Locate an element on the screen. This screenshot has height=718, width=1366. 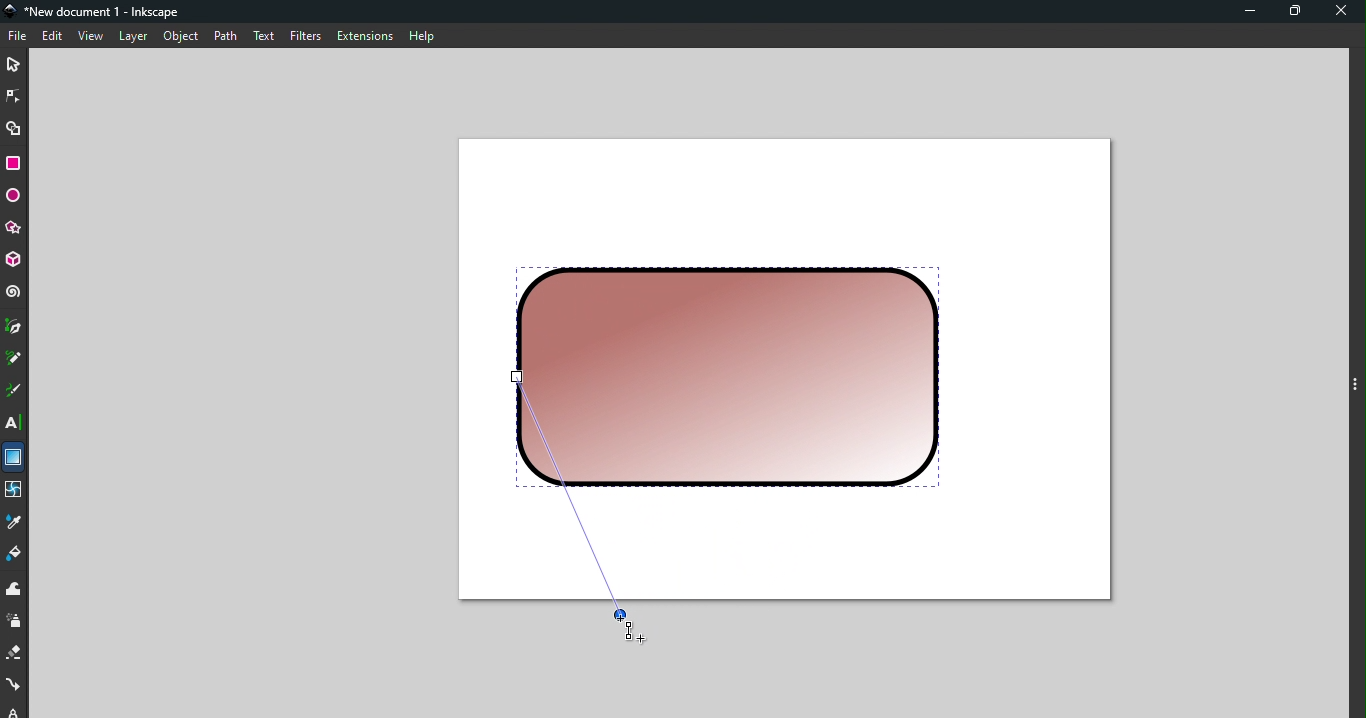
Close is located at coordinates (1343, 13).